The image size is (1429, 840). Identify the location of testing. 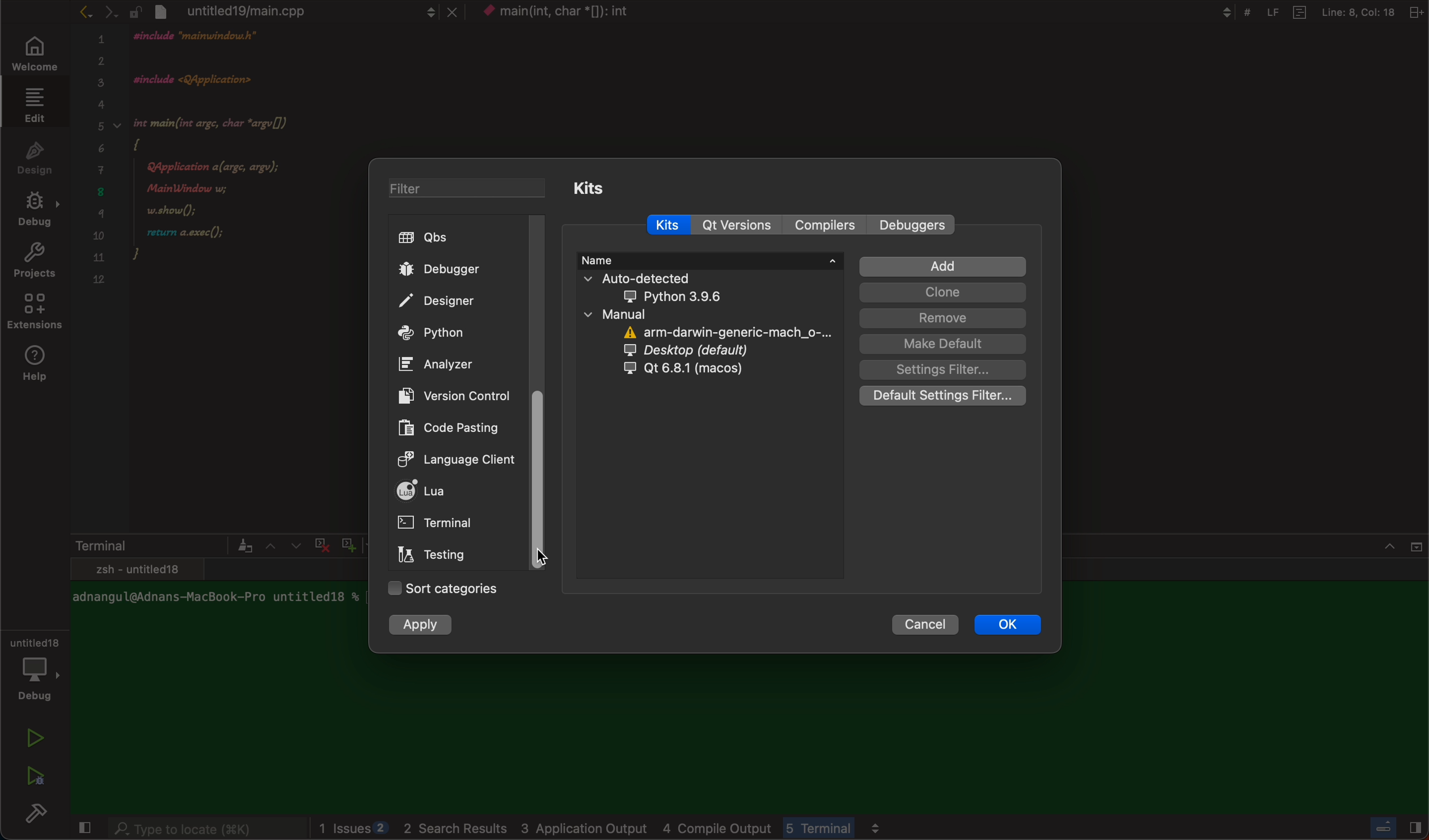
(437, 557).